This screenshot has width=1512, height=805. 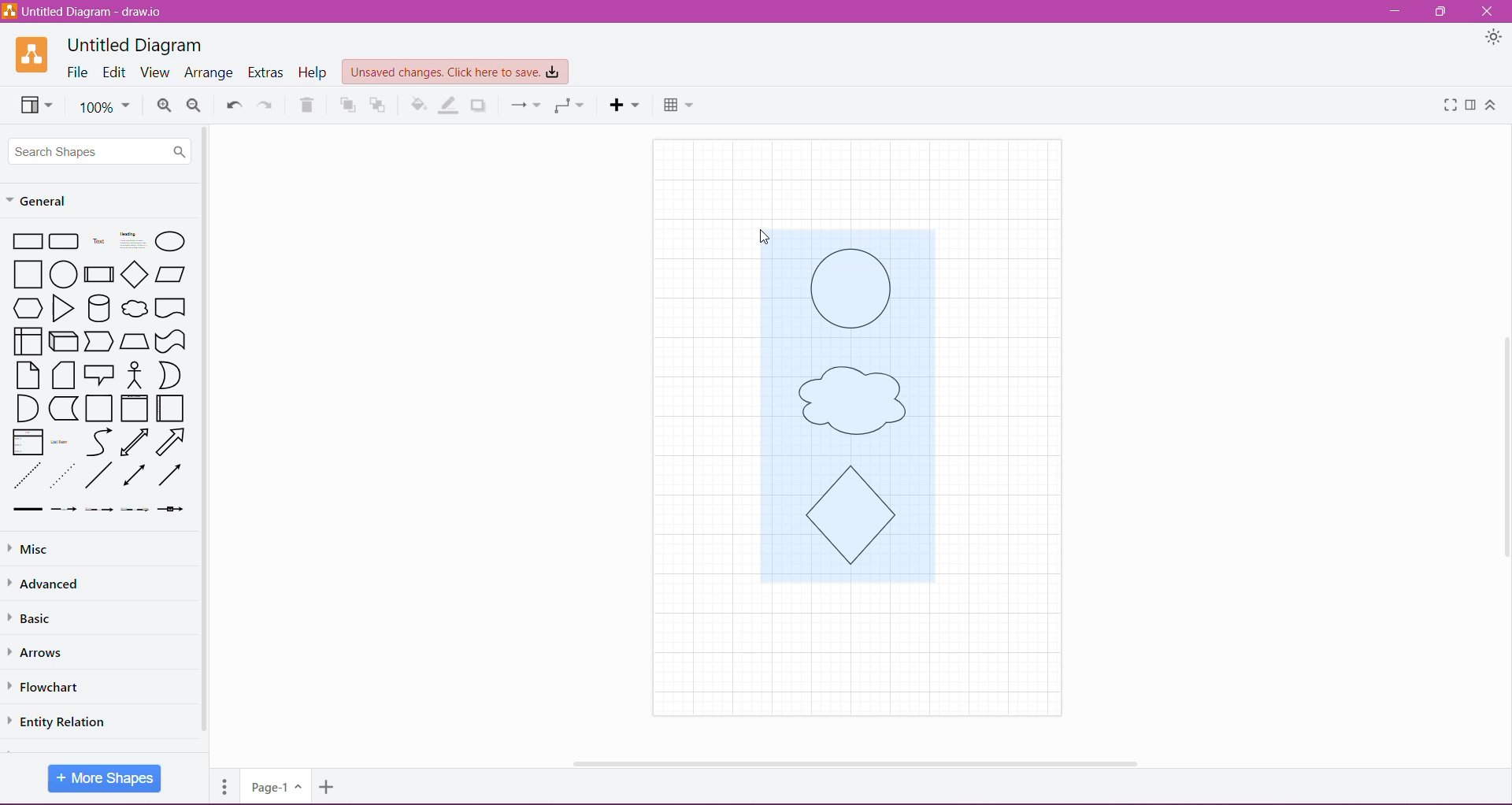 I want to click on More Shapes, so click(x=101, y=778).